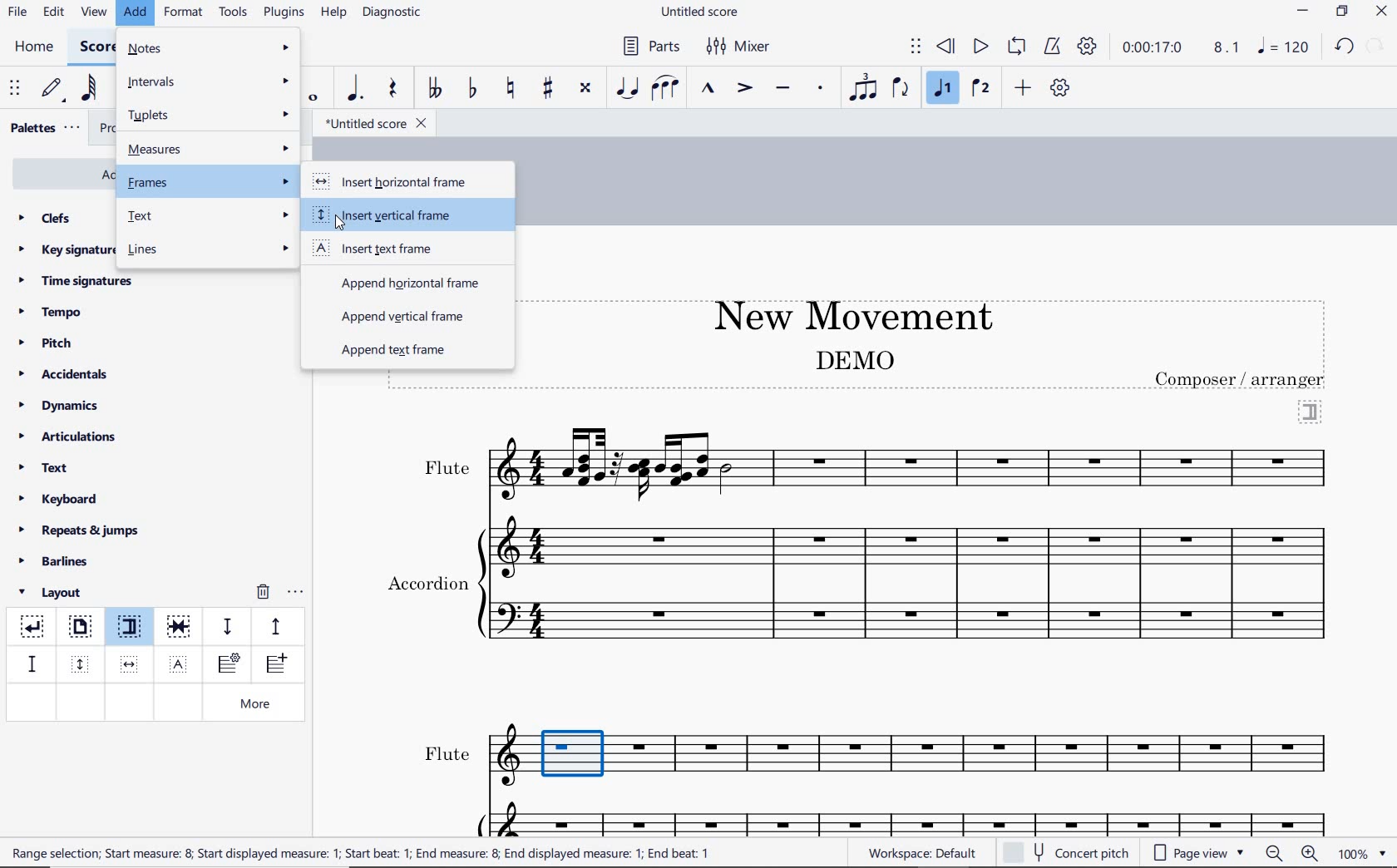 The width and height of the screenshot is (1397, 868). I want to click on play, so click(979, 48).